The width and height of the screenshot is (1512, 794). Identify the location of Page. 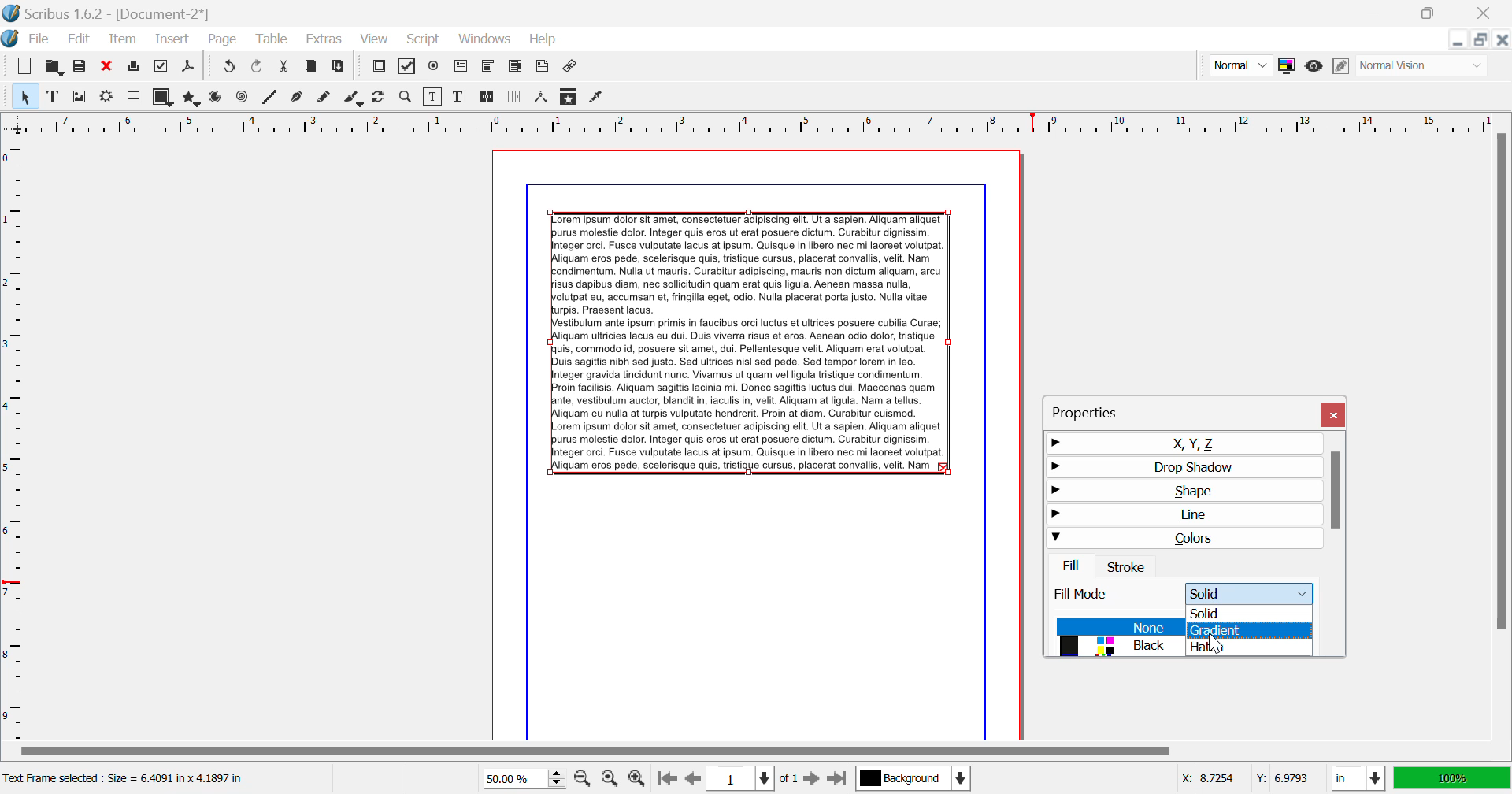
(221, 40).